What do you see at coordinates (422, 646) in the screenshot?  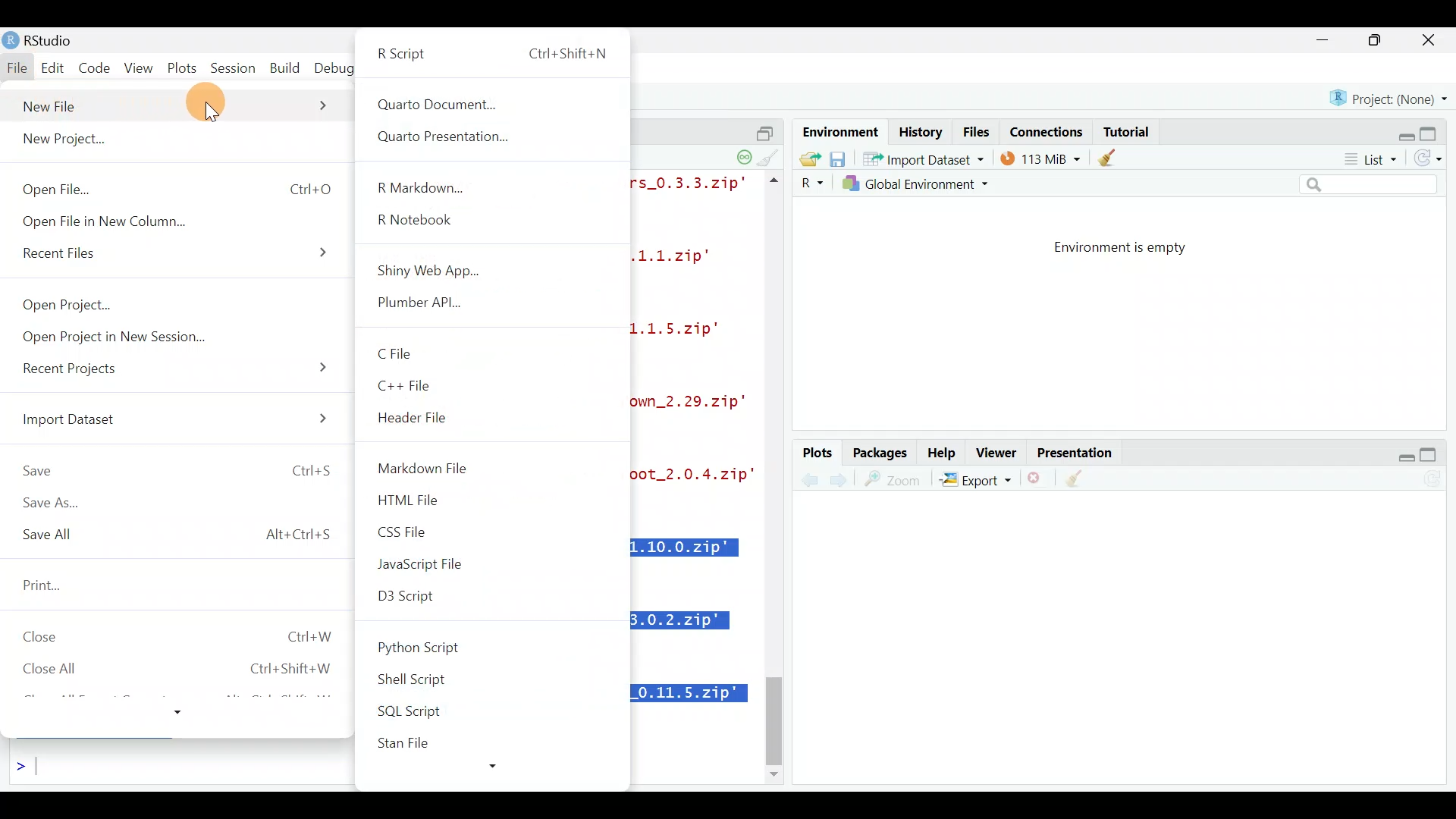 I see `Python Script` at bounding box center [422, 646].